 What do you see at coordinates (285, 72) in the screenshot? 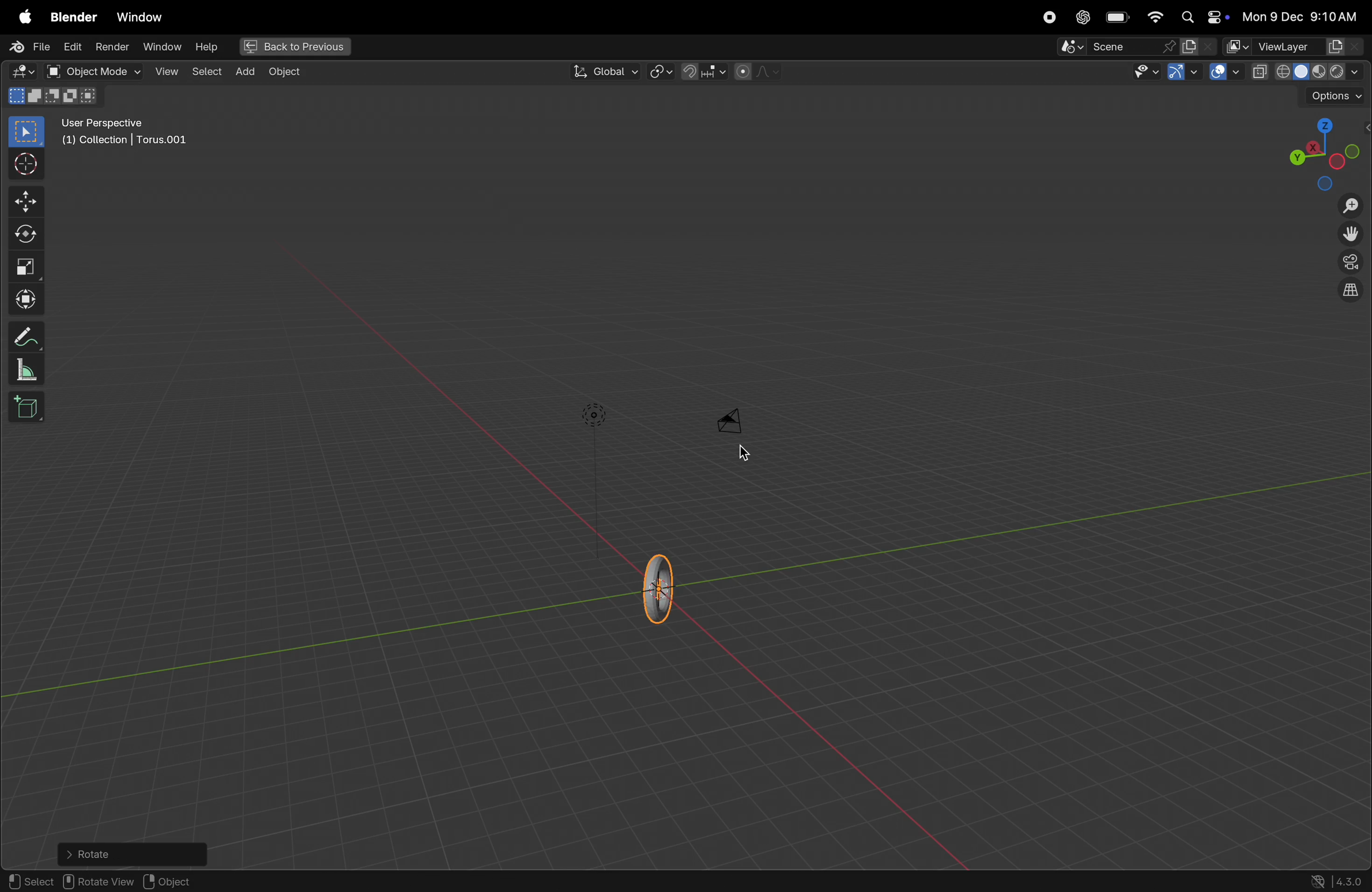
I see `object` at bounding box center [285, 72].